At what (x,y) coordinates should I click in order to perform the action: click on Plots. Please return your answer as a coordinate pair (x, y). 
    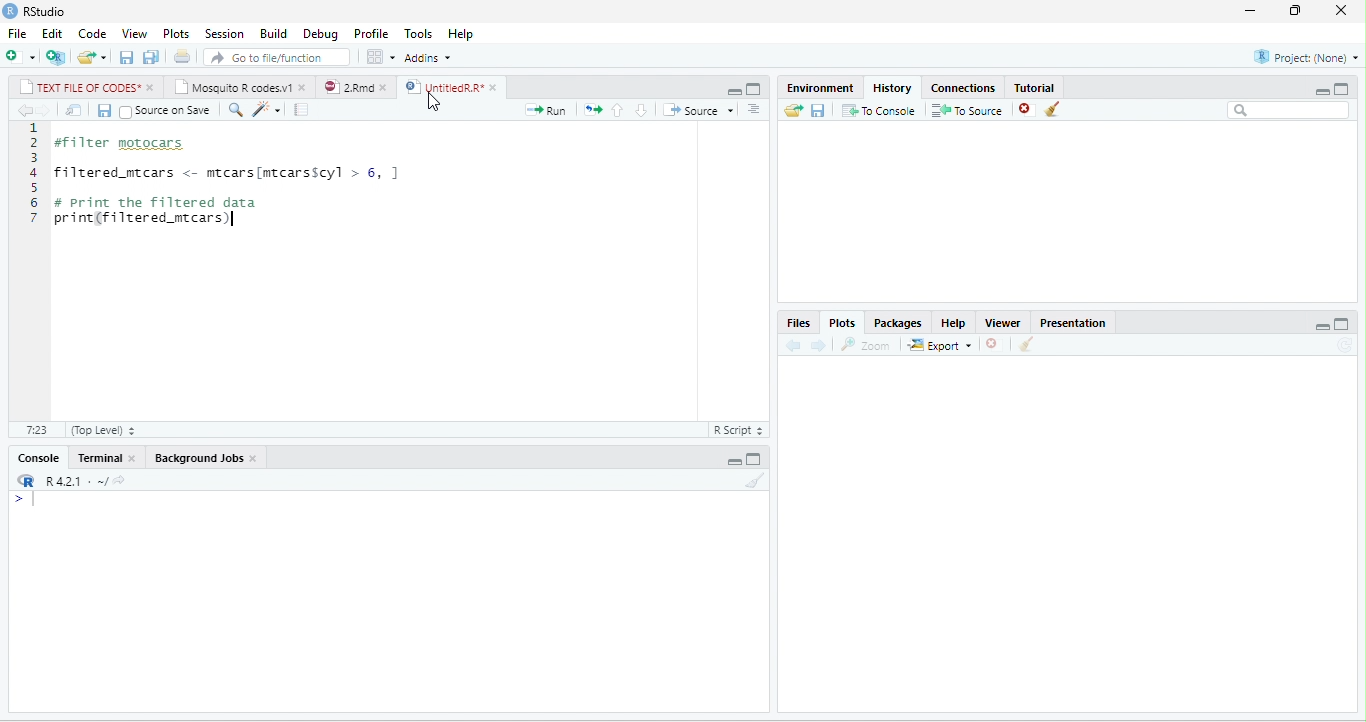
    Looking at the image, I should click on (176, 34).